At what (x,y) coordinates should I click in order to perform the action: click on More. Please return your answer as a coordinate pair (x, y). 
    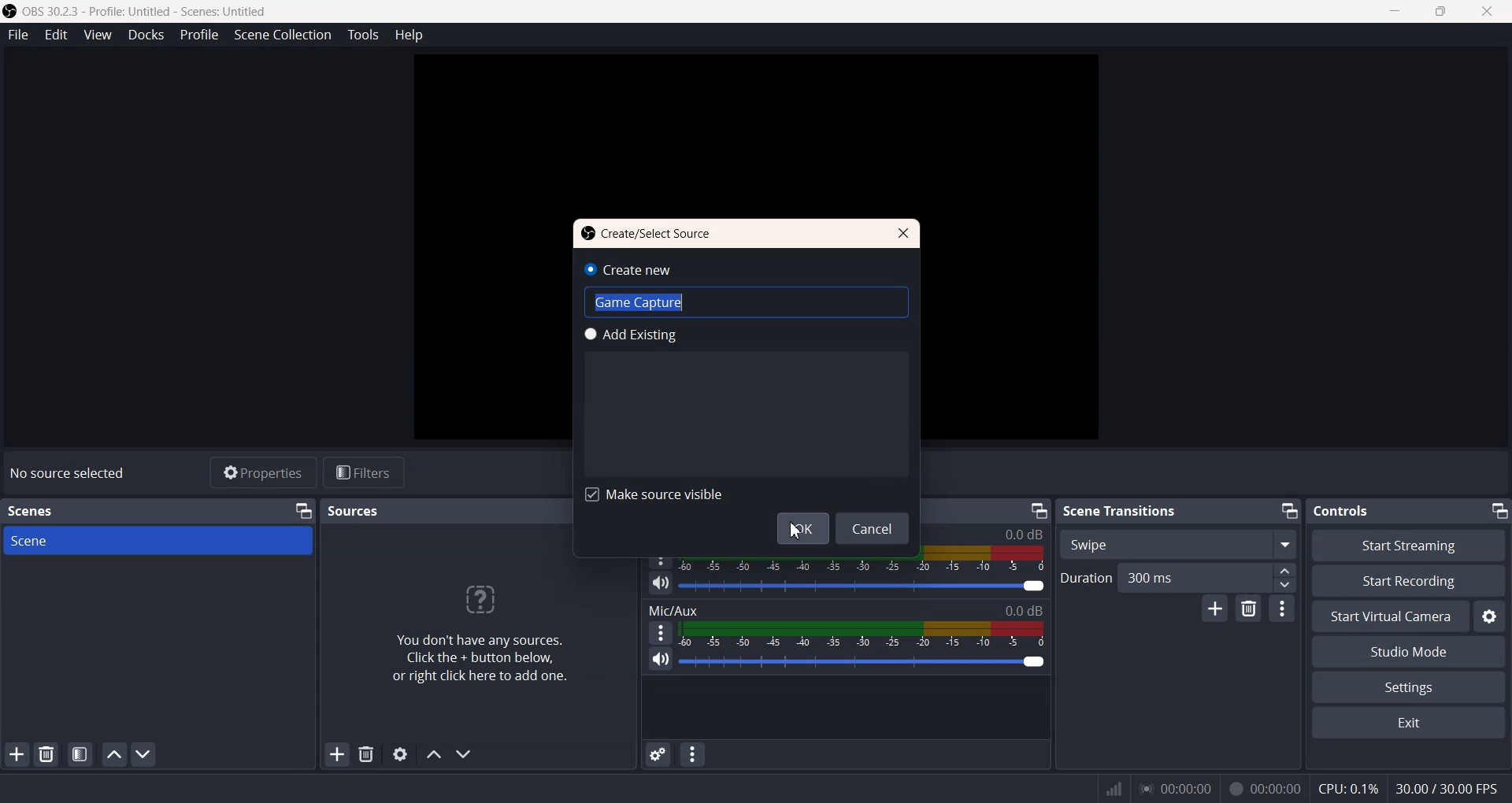
    Looking at the image, I should click on (661, 557).